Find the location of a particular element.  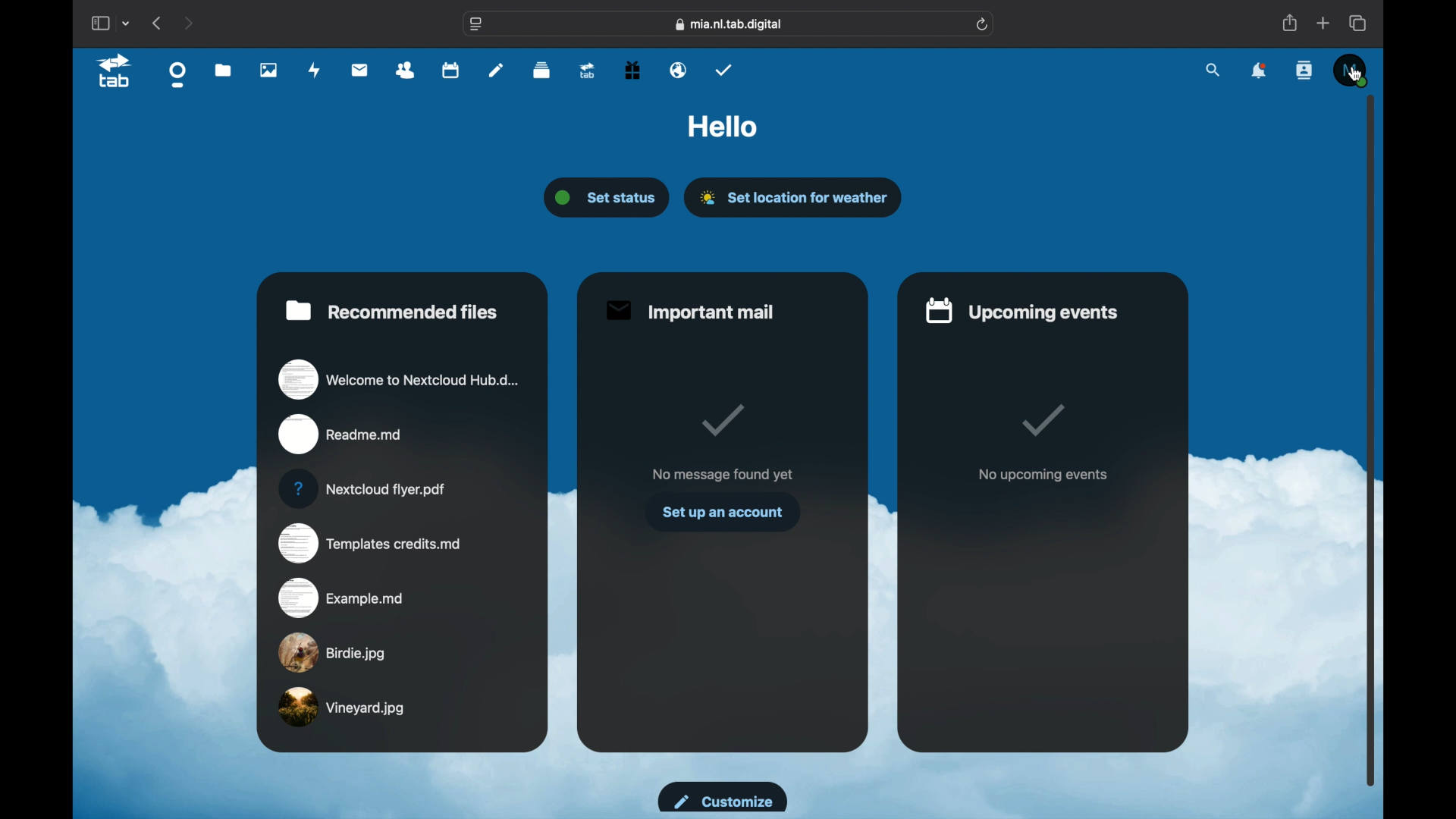

recommendation files is located at coordinates (392, 310).